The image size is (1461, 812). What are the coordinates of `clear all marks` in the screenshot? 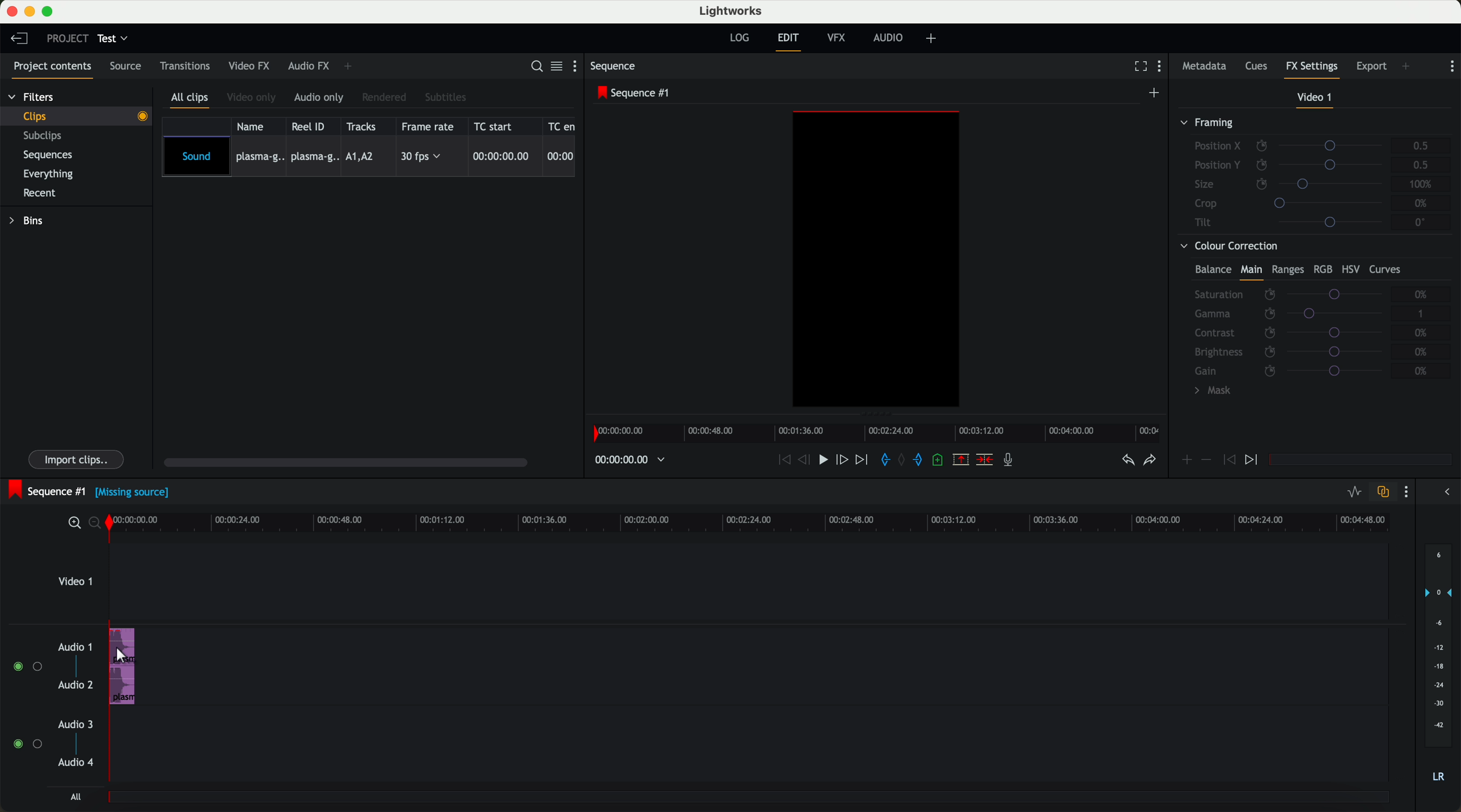 It's located at (903, 461).